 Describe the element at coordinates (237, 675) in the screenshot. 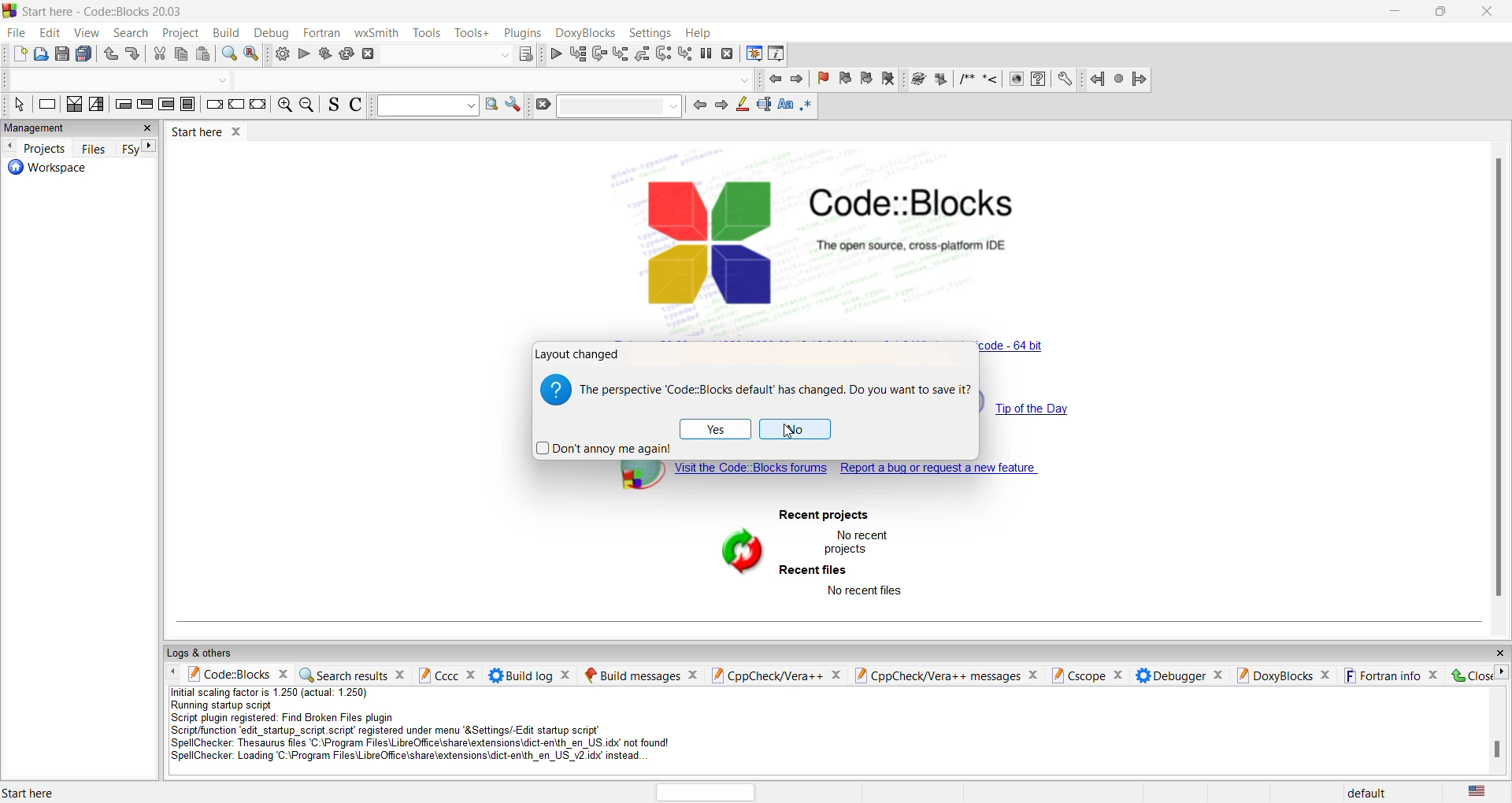

I see `codeblock pane` at that location.